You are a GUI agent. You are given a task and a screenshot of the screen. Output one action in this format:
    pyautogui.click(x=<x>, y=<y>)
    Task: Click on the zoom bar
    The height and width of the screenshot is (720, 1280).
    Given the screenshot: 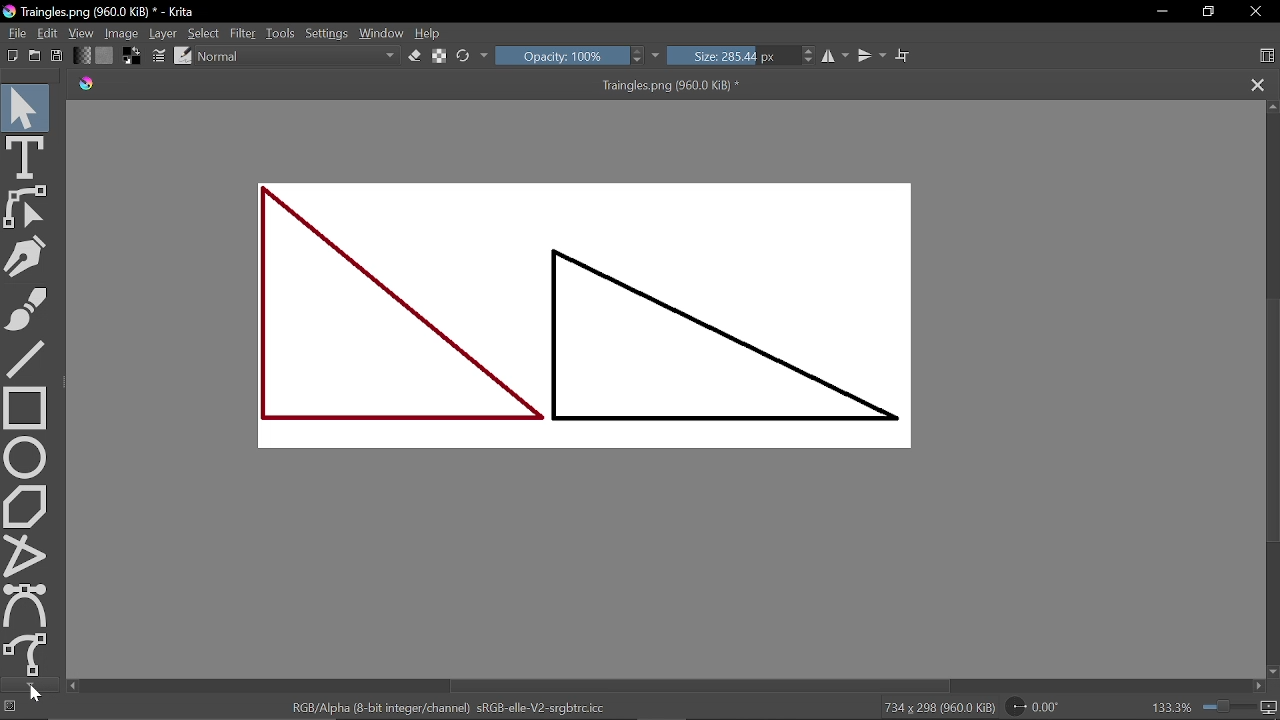 What is the action you would take?
    pyautogui.click(x=1227, y=707)
    